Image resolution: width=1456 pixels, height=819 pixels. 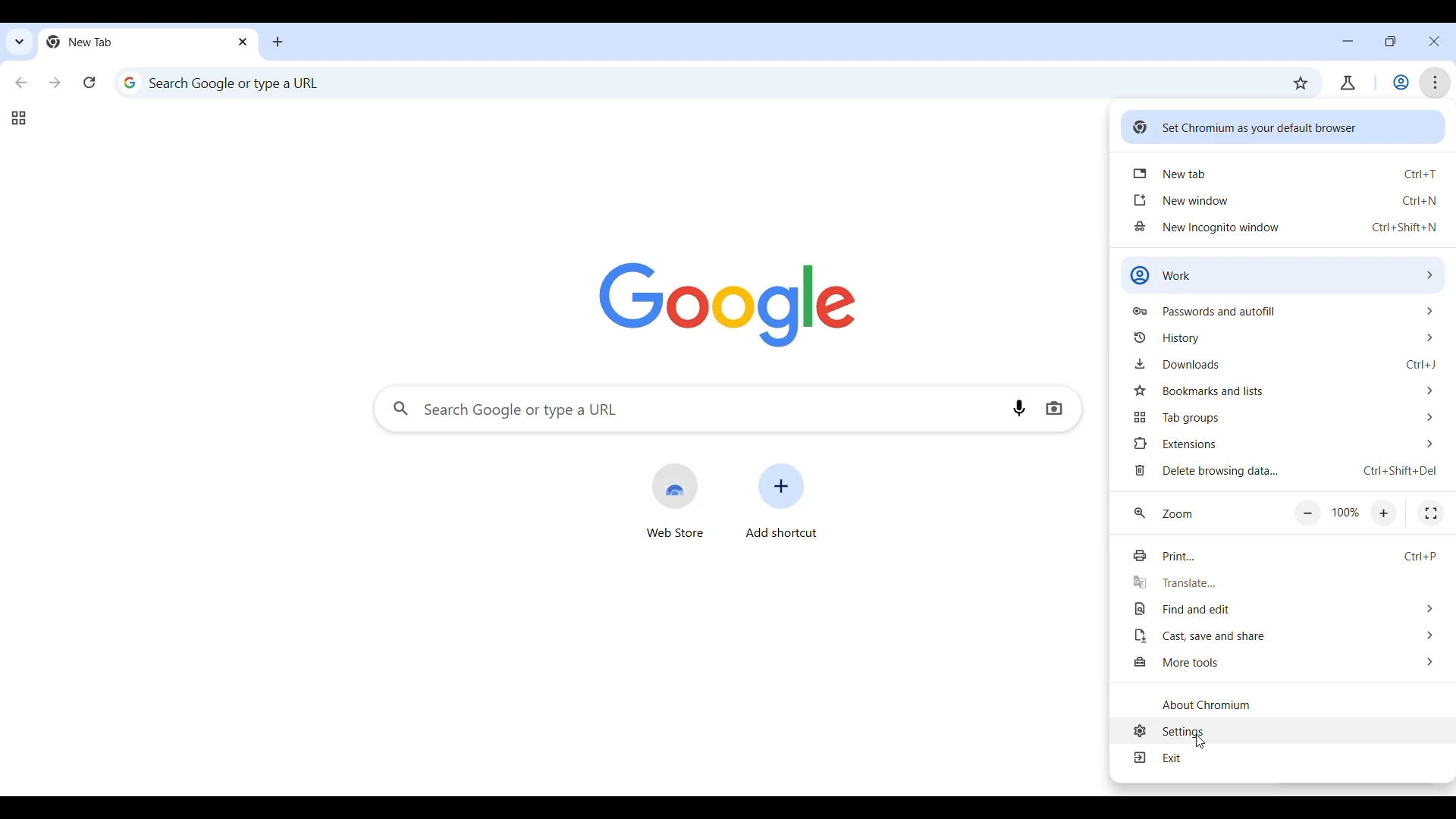 What do you see at coordinates (1285, 636) in the screenshot?
I see `Cast, save and share options` at bounding box center [1285, 636].